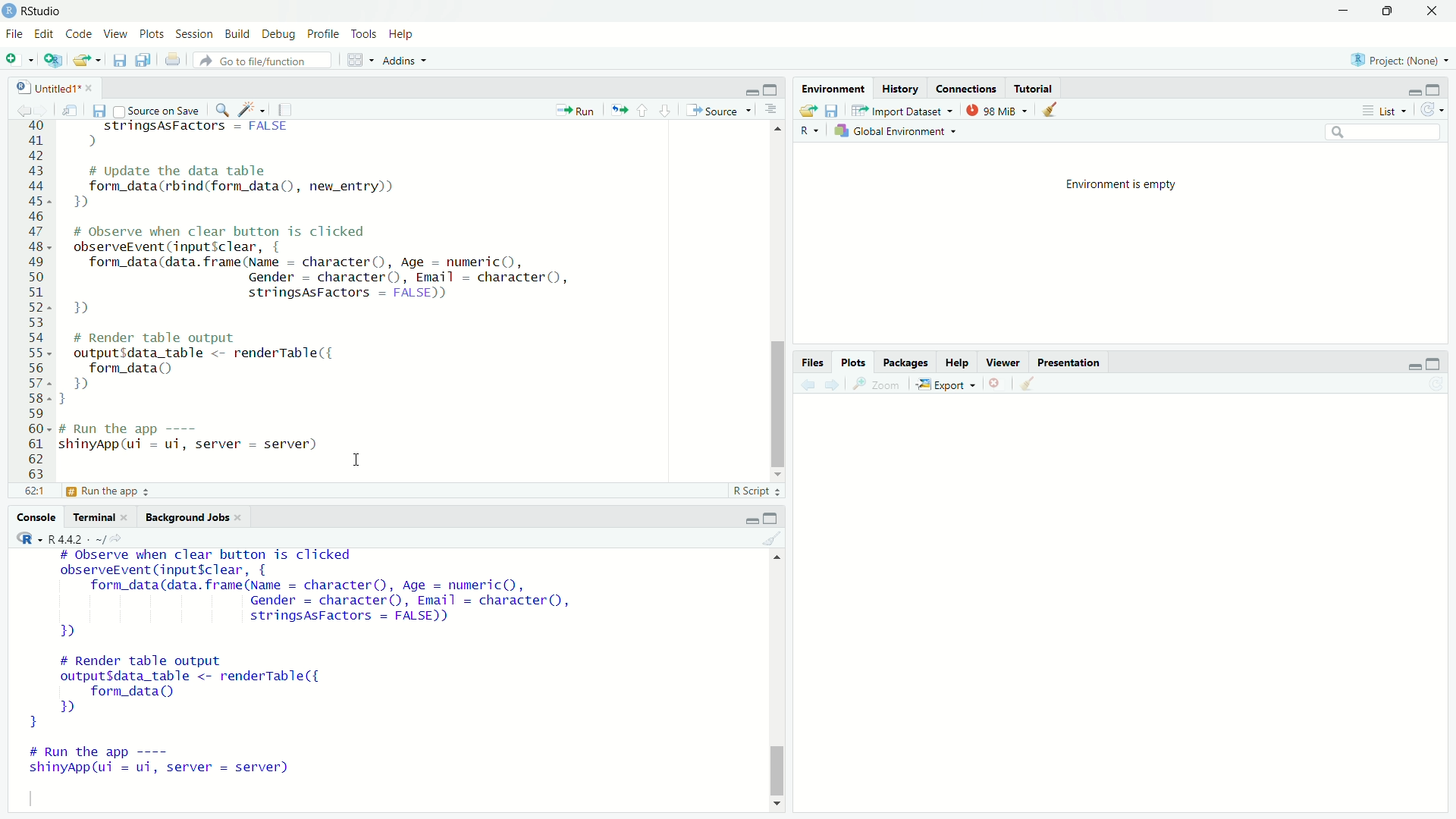  What do you see at coordinates (109, 494) in the screenshot?
I see `define server` at bounding box center [109, 494].